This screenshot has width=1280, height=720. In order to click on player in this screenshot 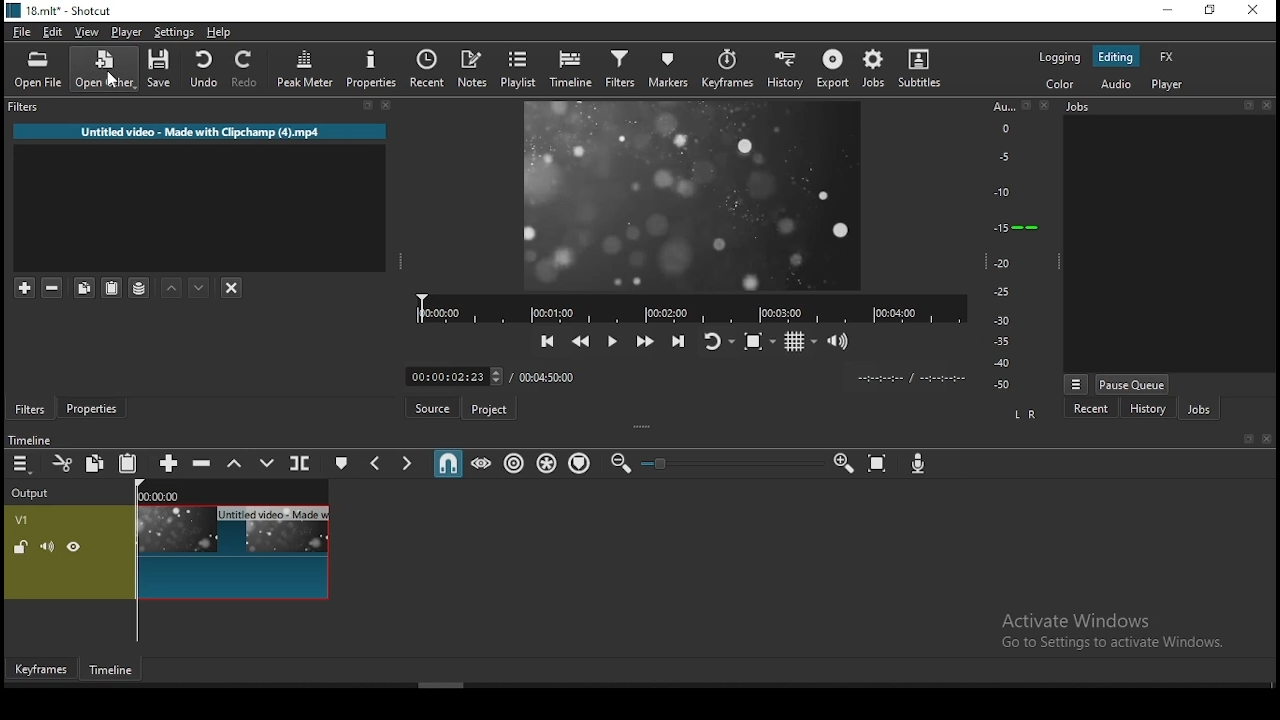, I will do `click(125, 31)`.